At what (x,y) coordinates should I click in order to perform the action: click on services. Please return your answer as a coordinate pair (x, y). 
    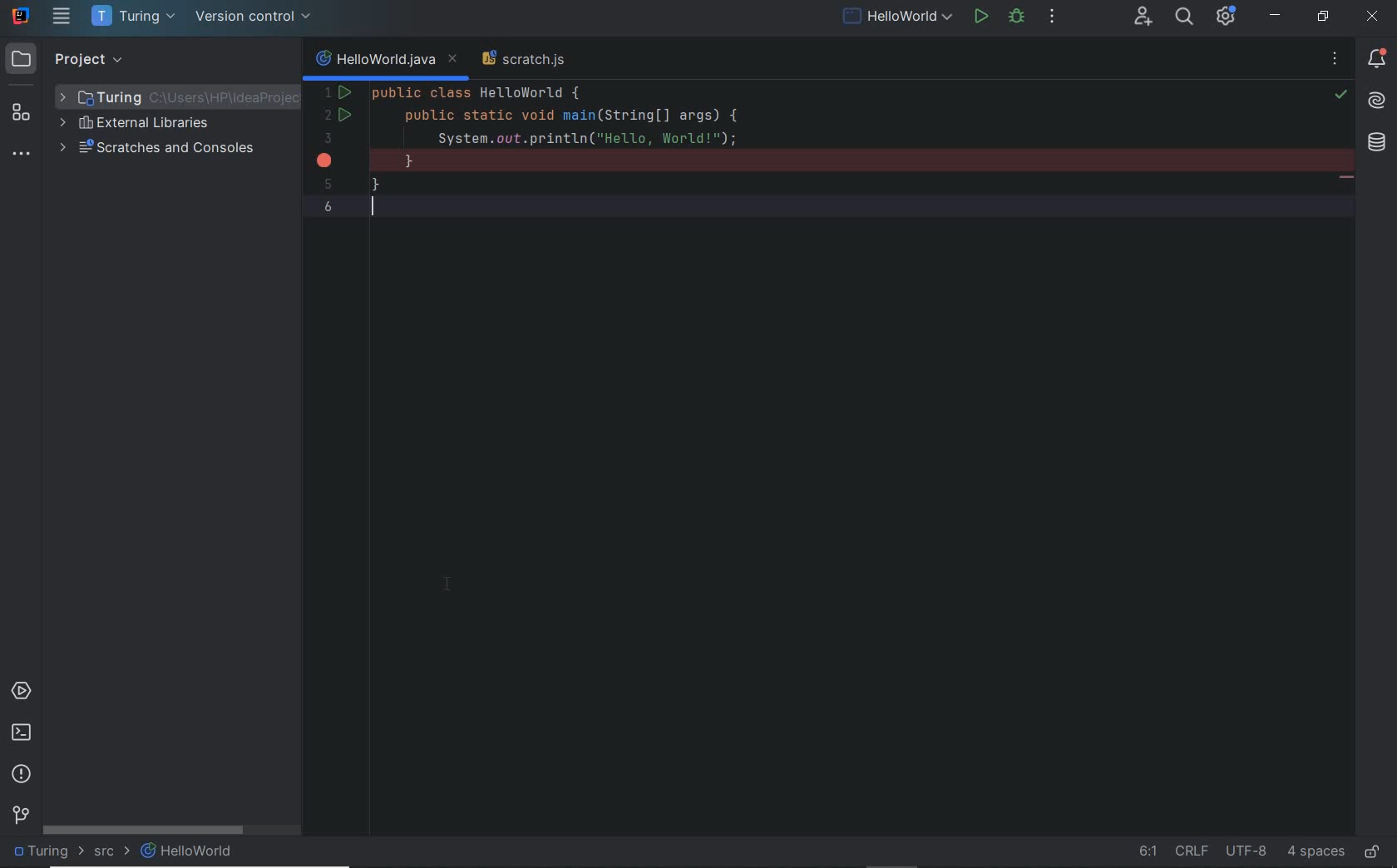
    Looking at the image, I should click on (19, 690).